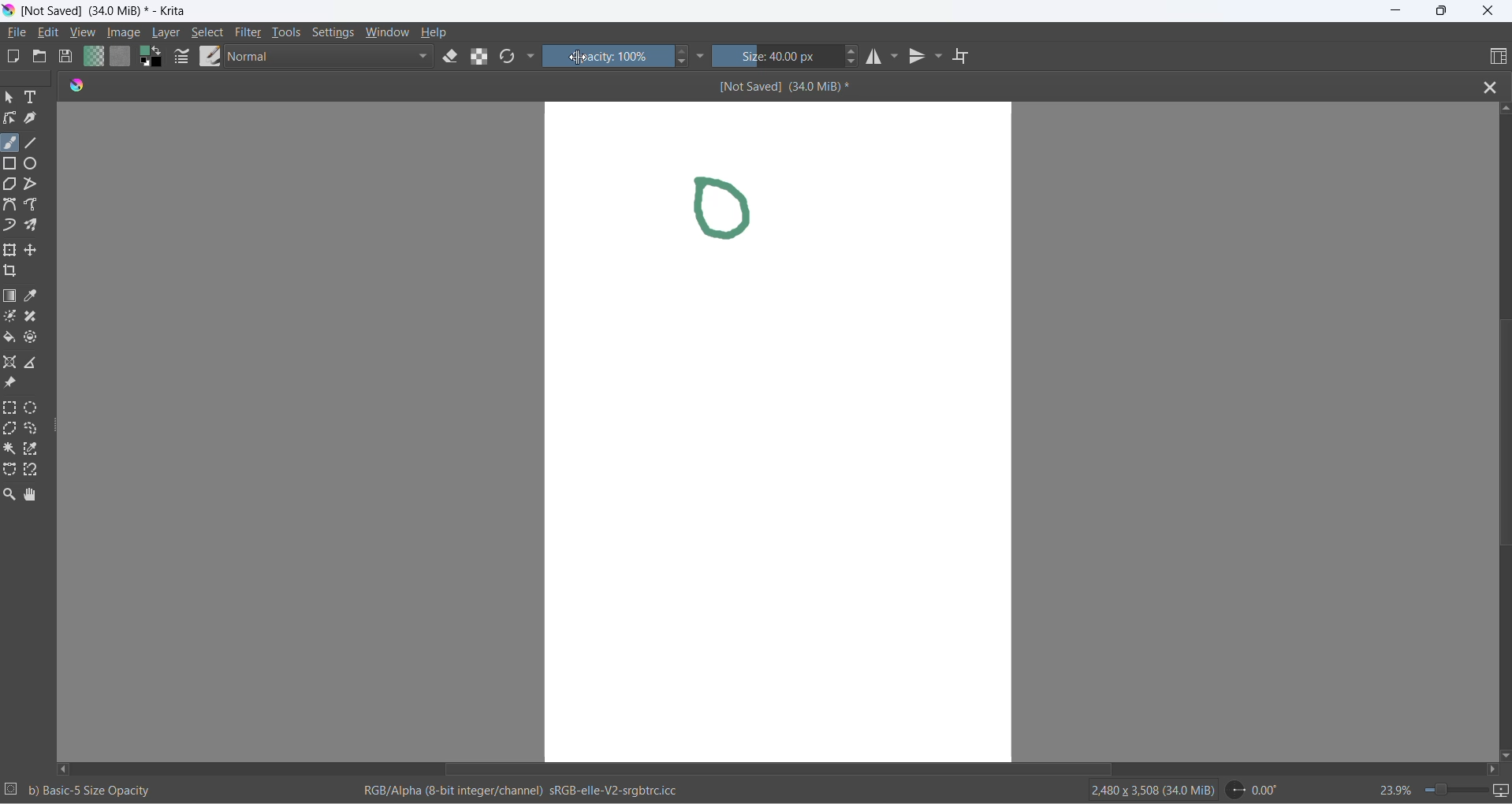  What do you see at coordinates (1151, 792) in the screenshot?
I see `2480 x 3508 (34.0 MiB)` at bounding box center [1151, 792].